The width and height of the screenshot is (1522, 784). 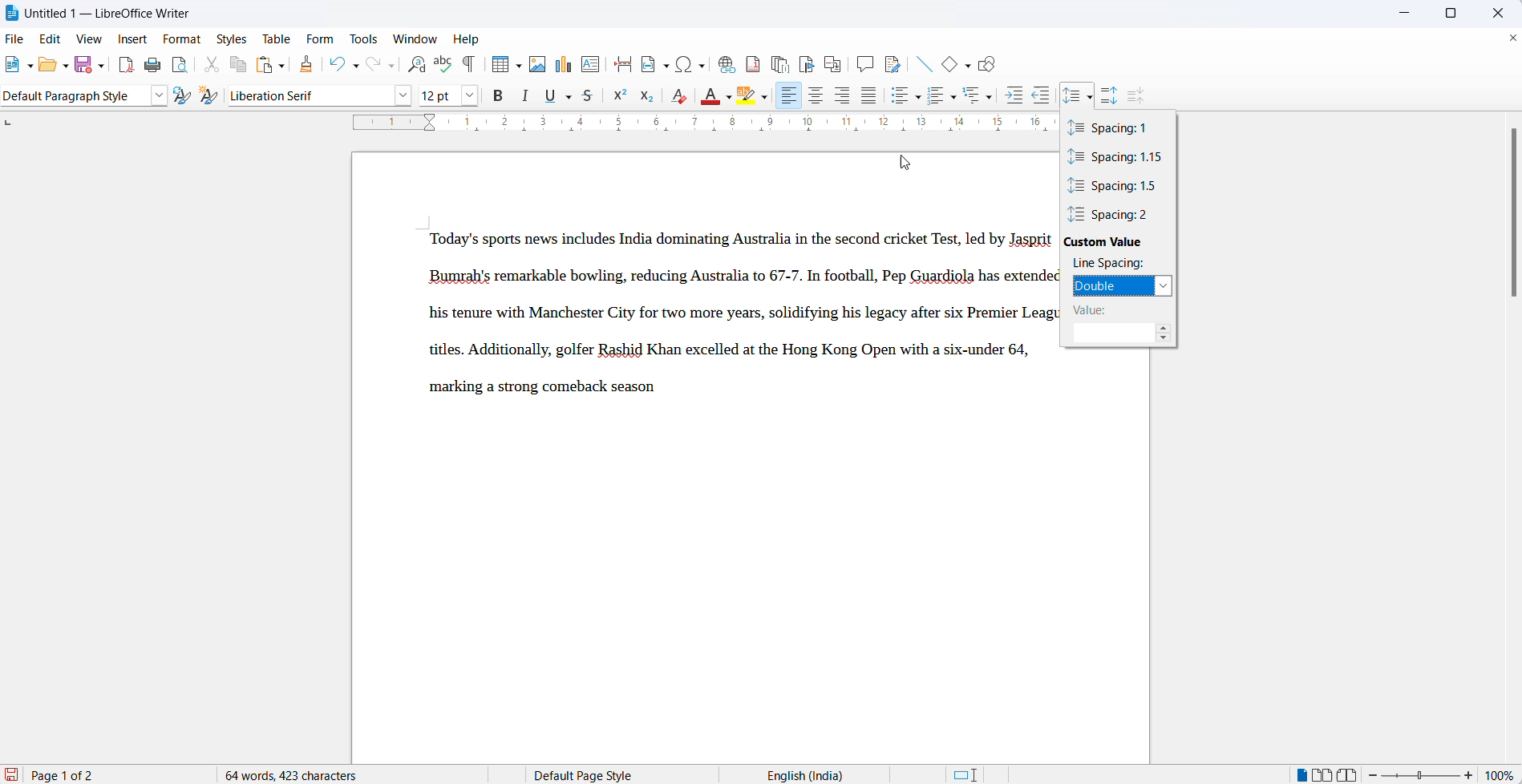 What do you see at coordinates (53, 38) in the screenshot?
I see `edit` at bounding box center [53, 38].